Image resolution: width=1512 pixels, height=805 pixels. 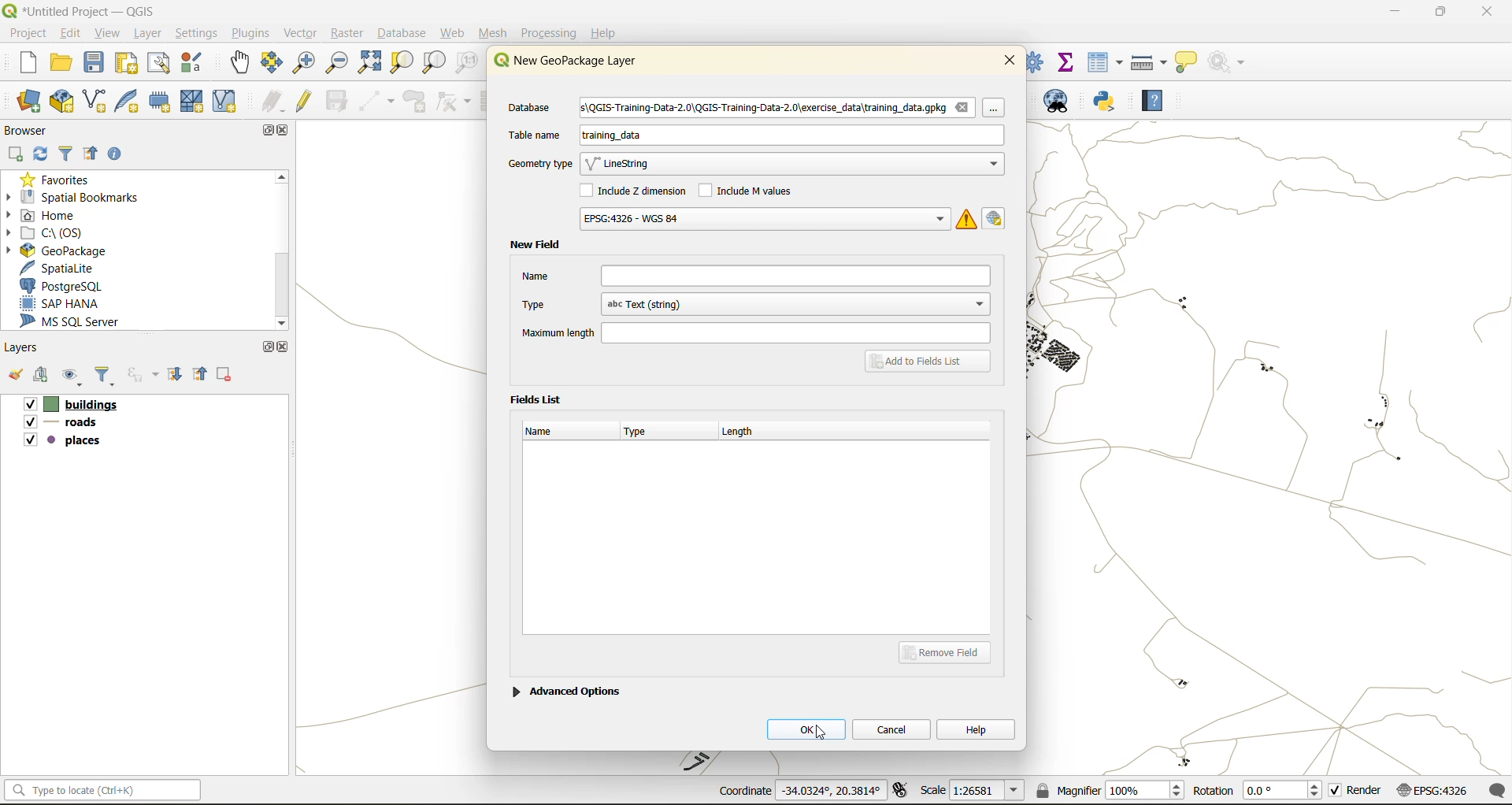 What do you see at coordinates (1228, 59) in the screenshot?
I see `no action` at bounding box center [1228, 59].